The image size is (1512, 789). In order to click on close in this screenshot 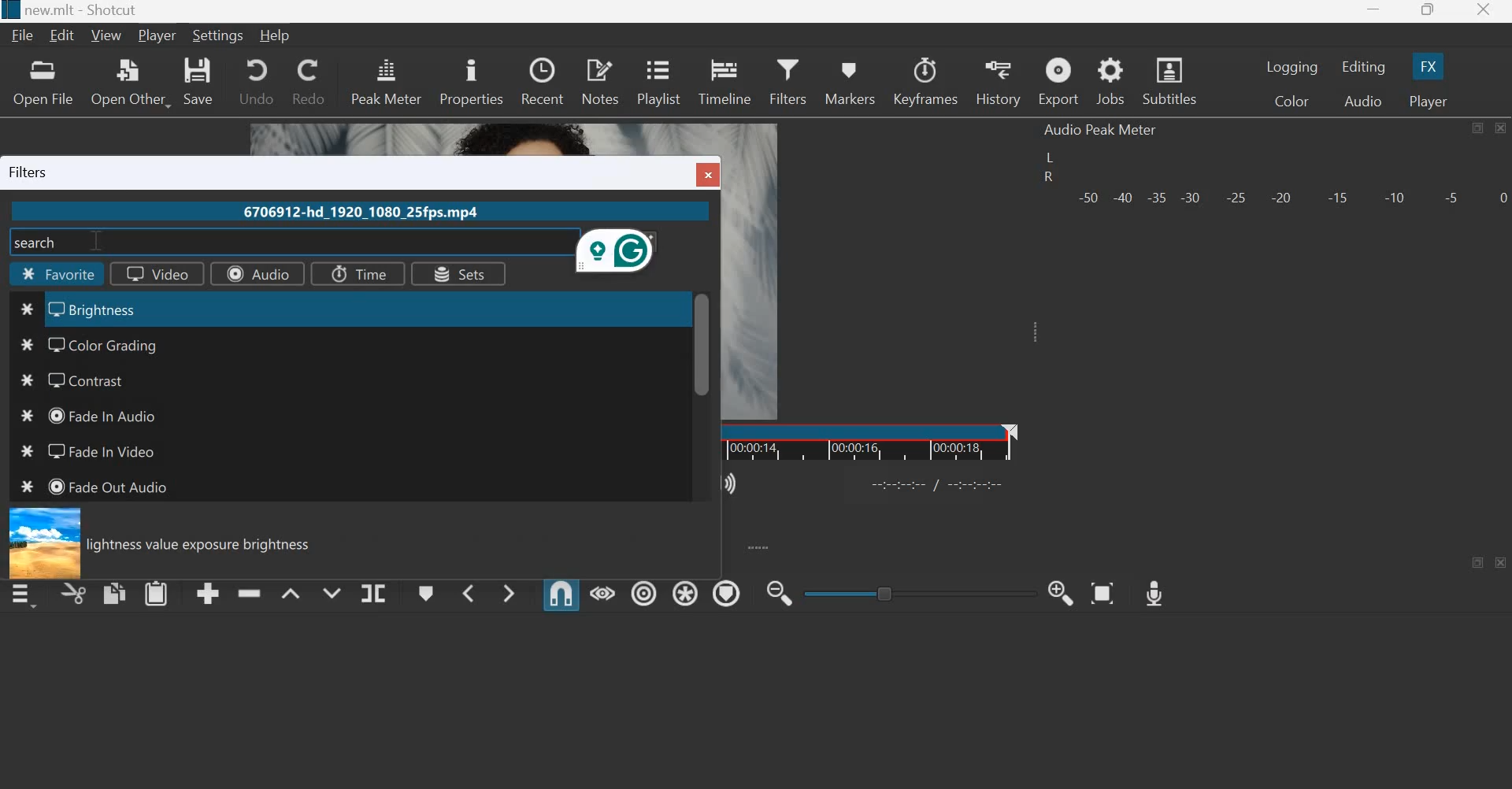, I will do `click(1499, 128)`.